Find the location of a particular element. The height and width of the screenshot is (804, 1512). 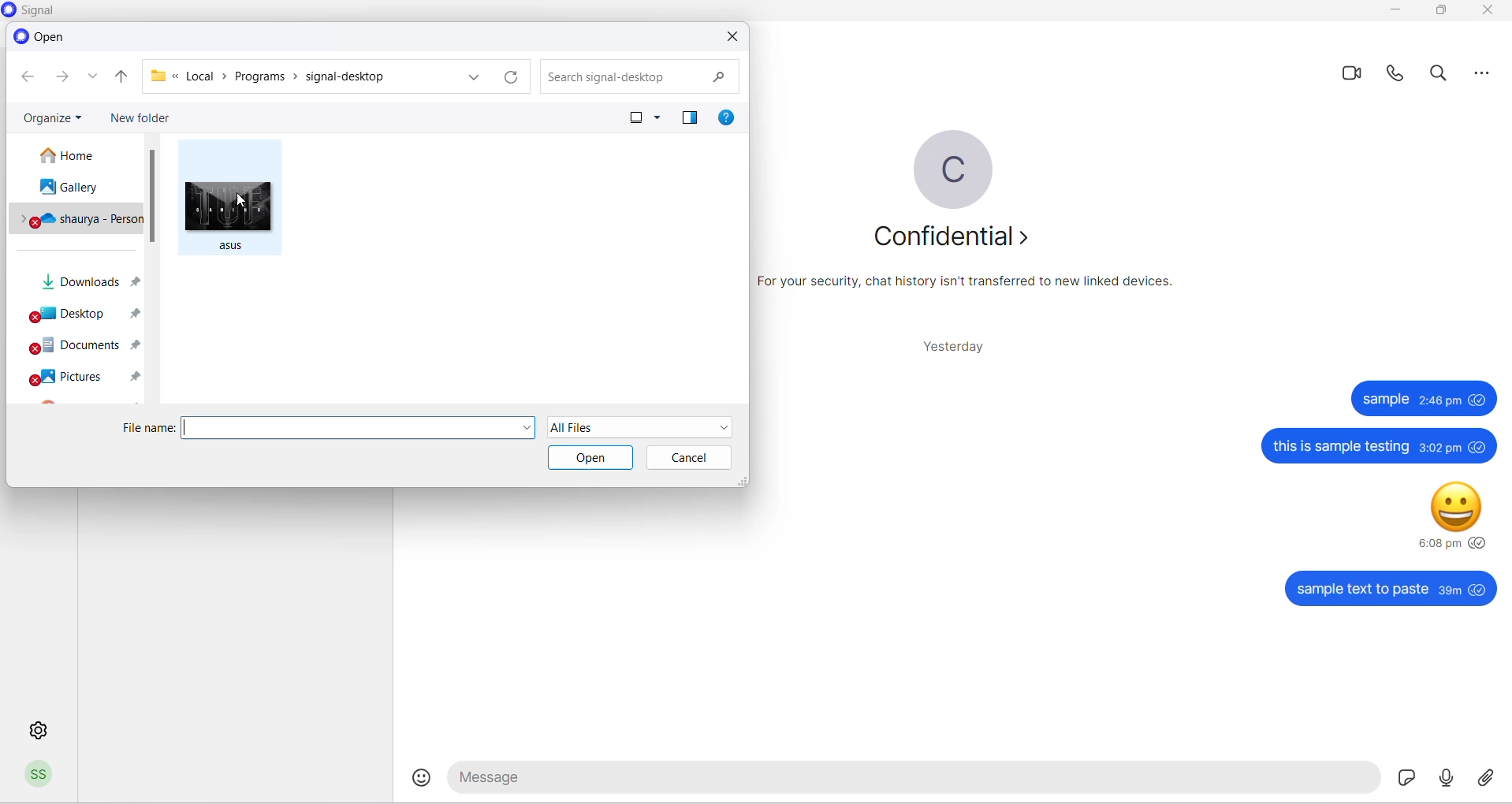

search box is located at coordinates (635, 75).